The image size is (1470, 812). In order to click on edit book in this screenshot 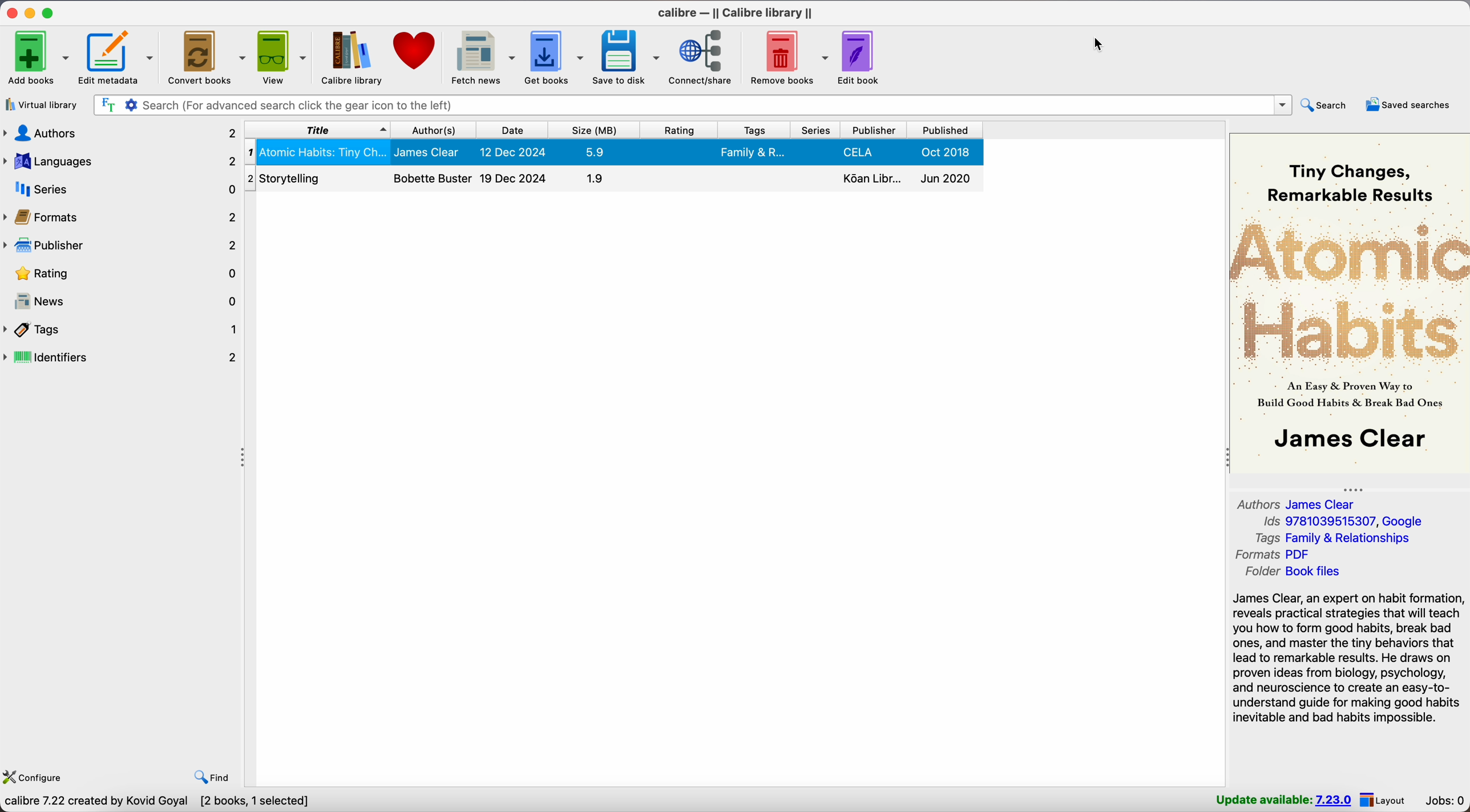, I will do `click(862, 59)`.